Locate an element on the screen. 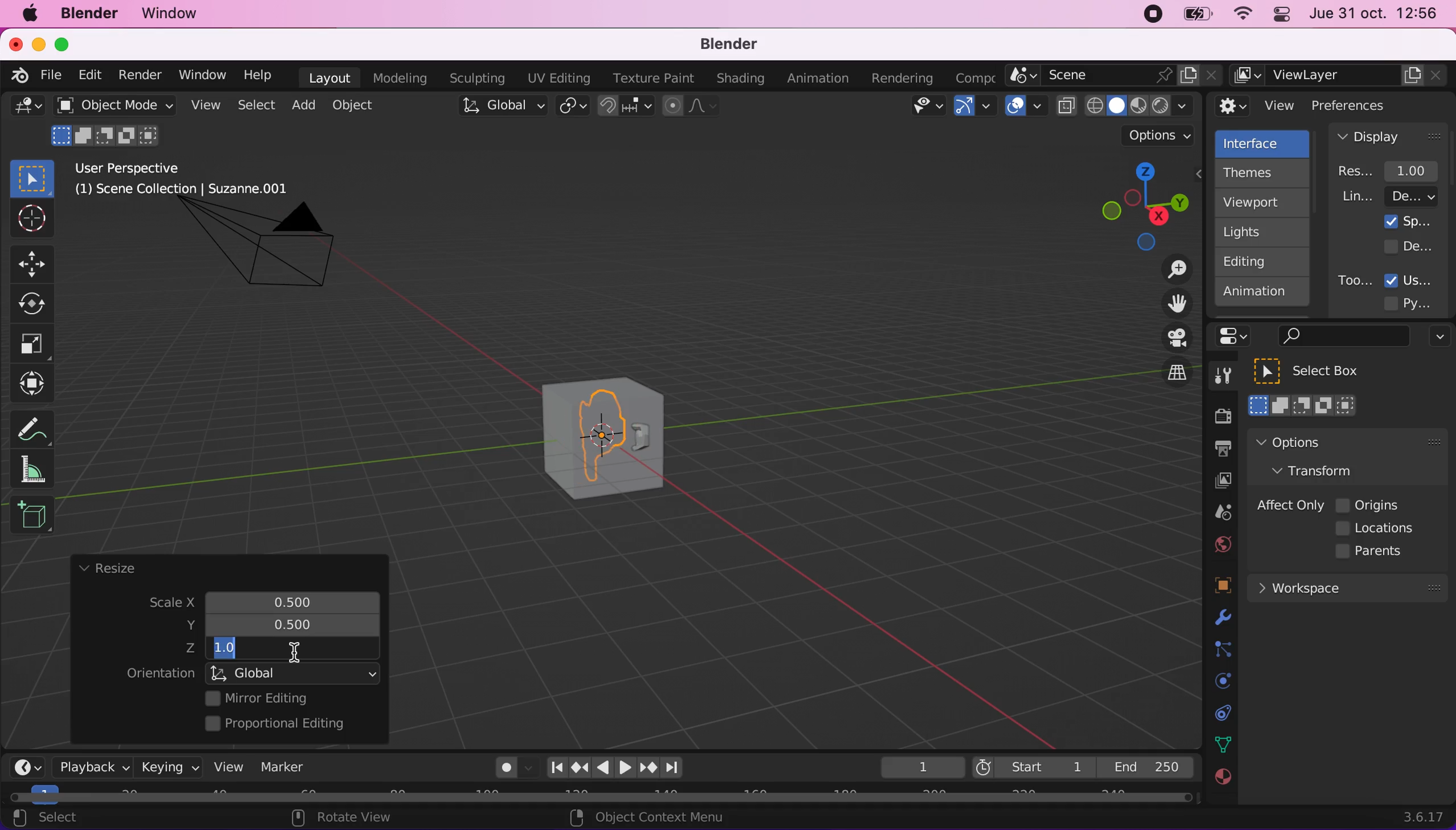  panel control is located at coordinates (1279, 16).